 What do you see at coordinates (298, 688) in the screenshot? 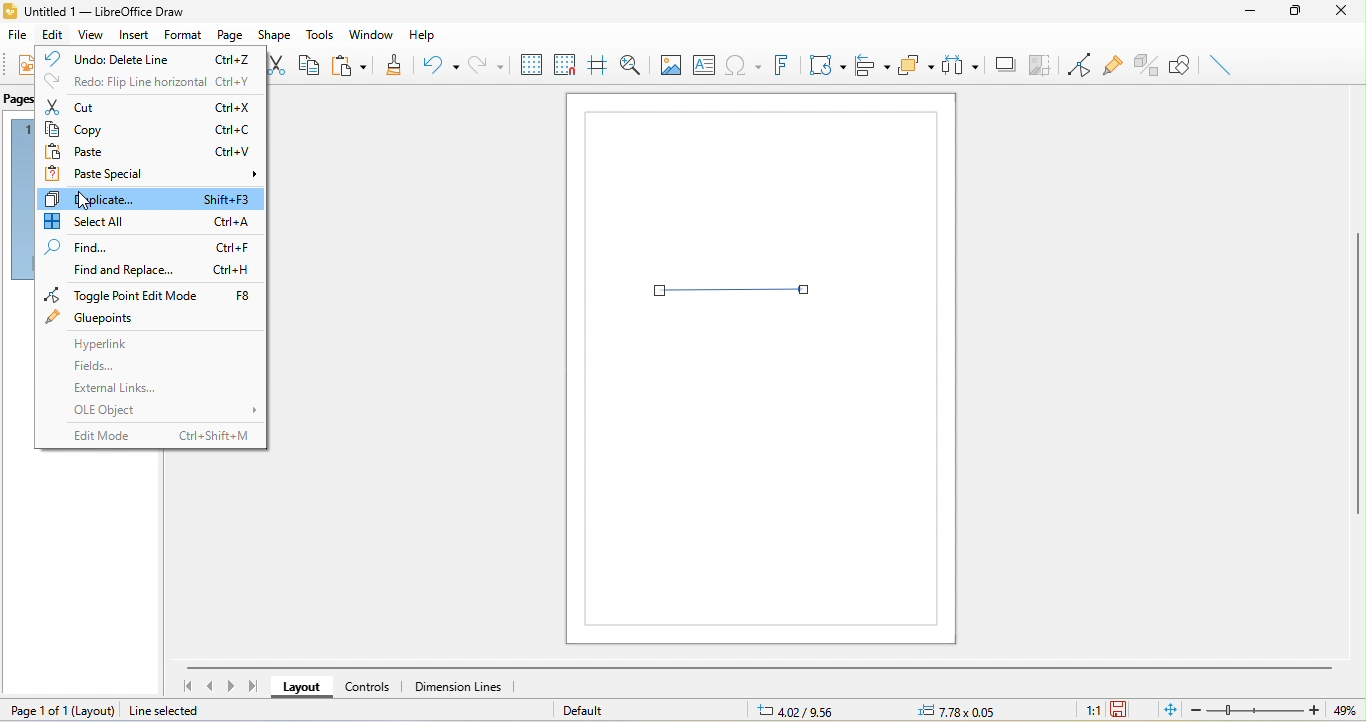
I see `layout` at bounding box center [298, 688].